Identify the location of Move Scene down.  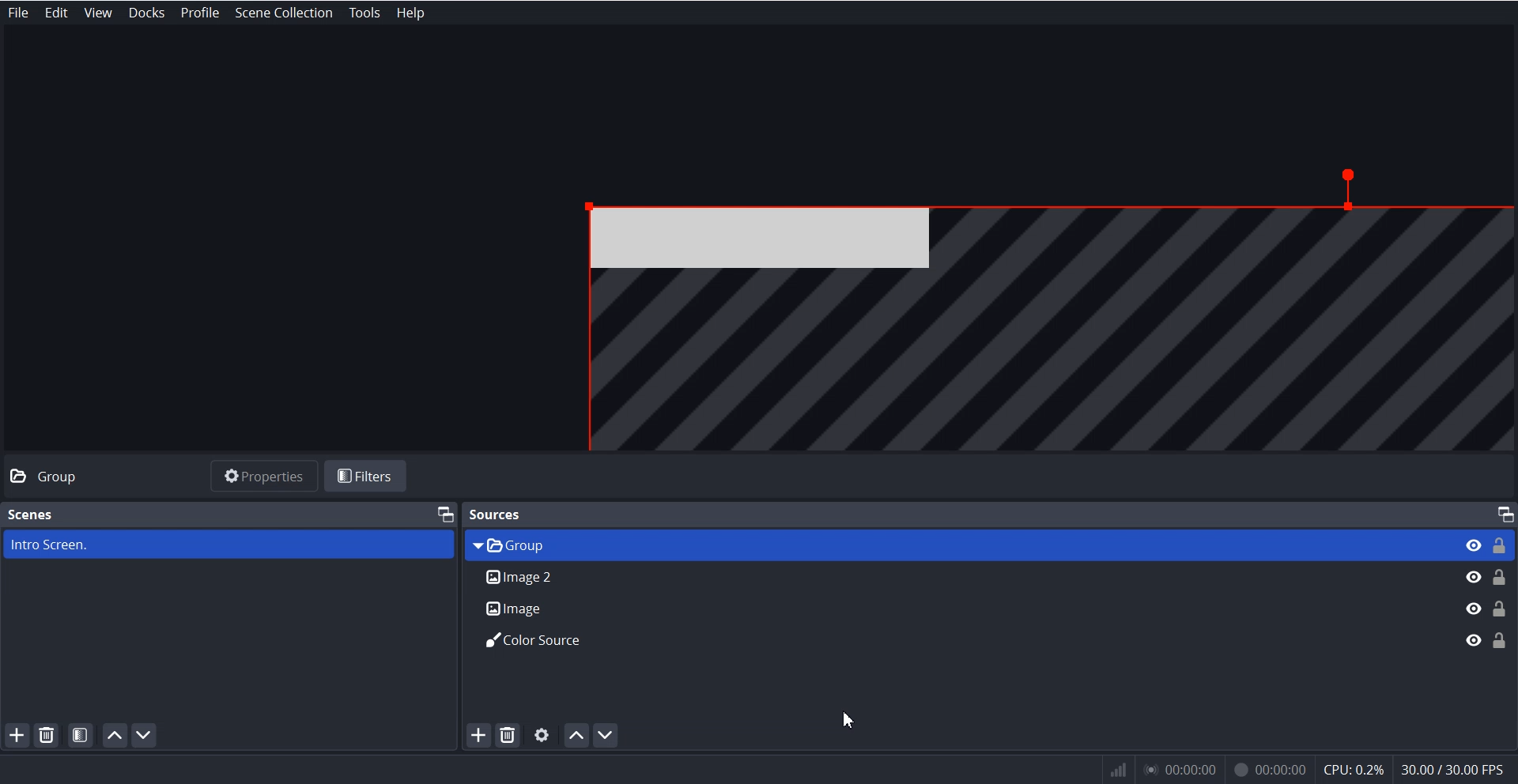
(147, 735).